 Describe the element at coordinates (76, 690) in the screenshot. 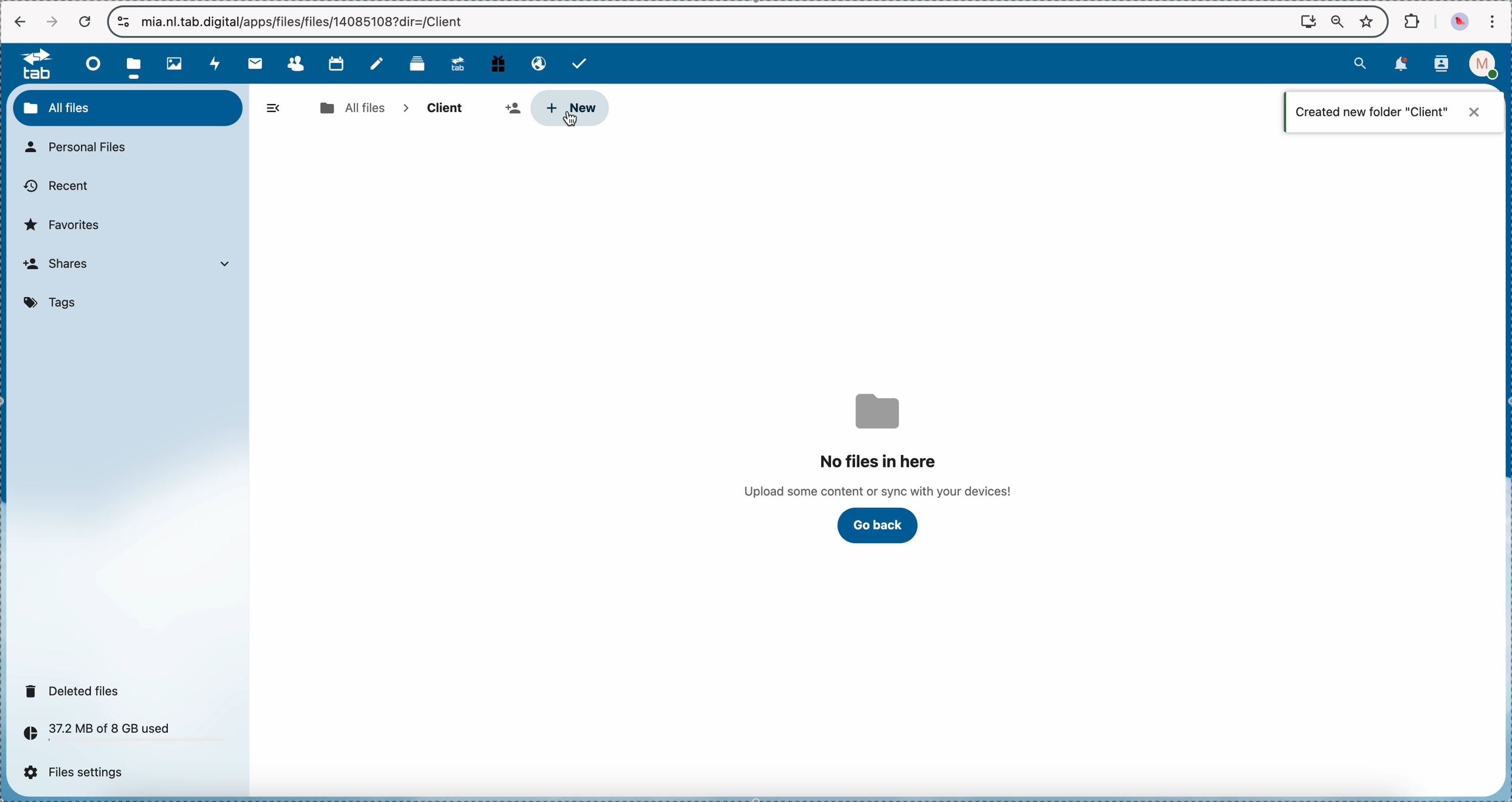

I see `deleted files` at that location.